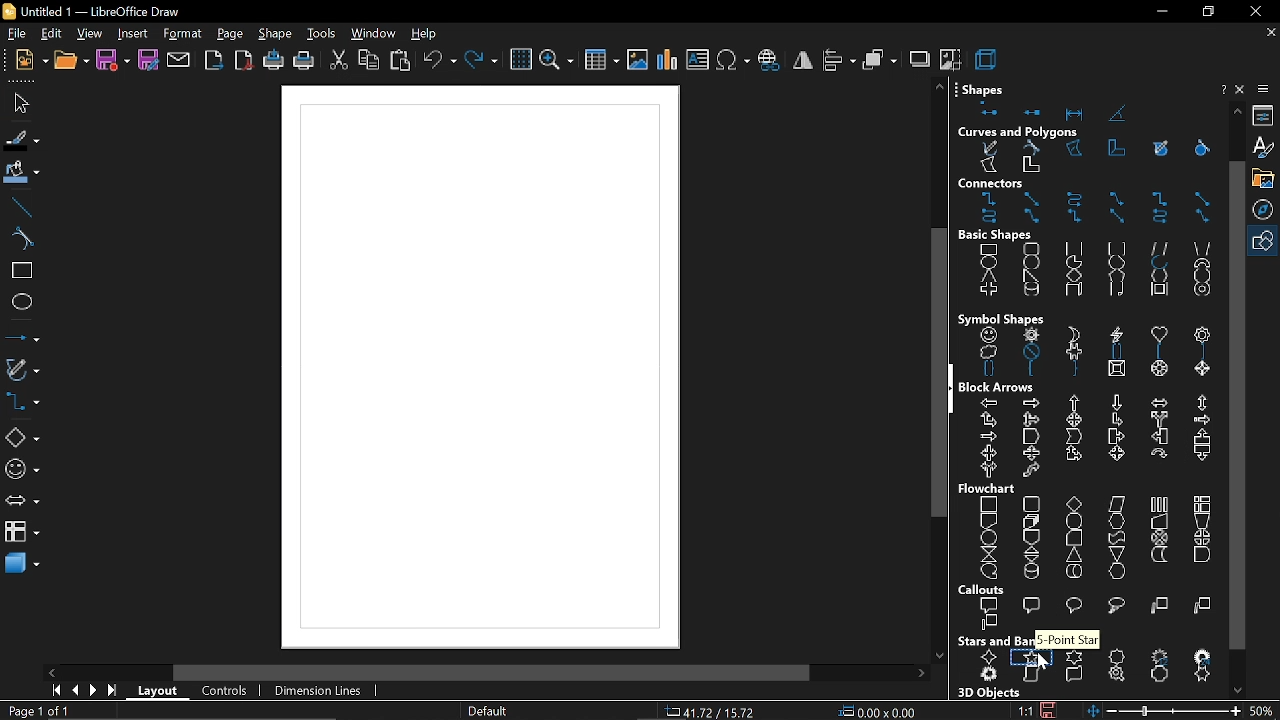 The width and height of the screenshot is (1280, 720). I want to click on Canvas, so click(479, 368).